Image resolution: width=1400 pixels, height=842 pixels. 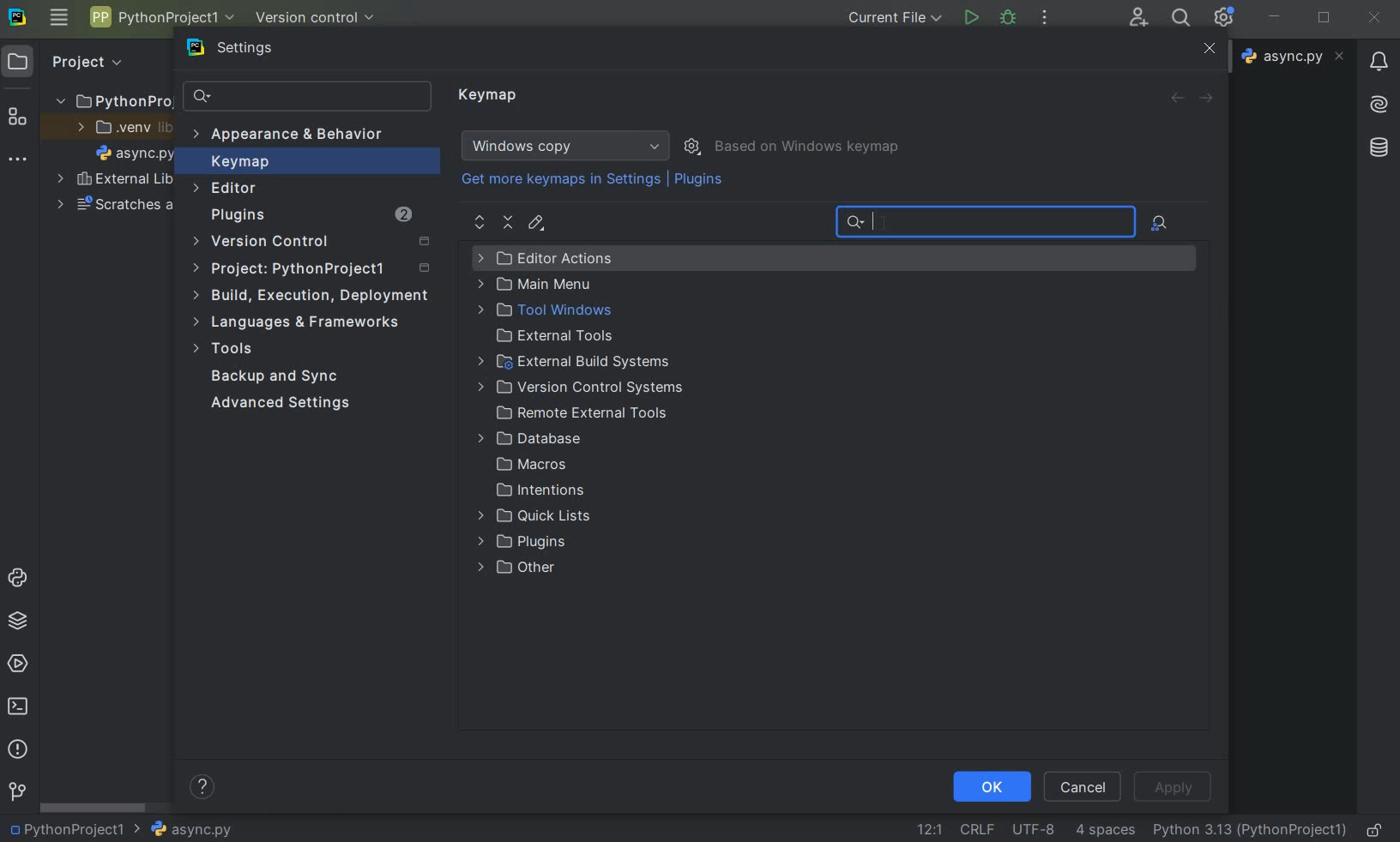 I want to click on indent, so click(x=1105, y=830).